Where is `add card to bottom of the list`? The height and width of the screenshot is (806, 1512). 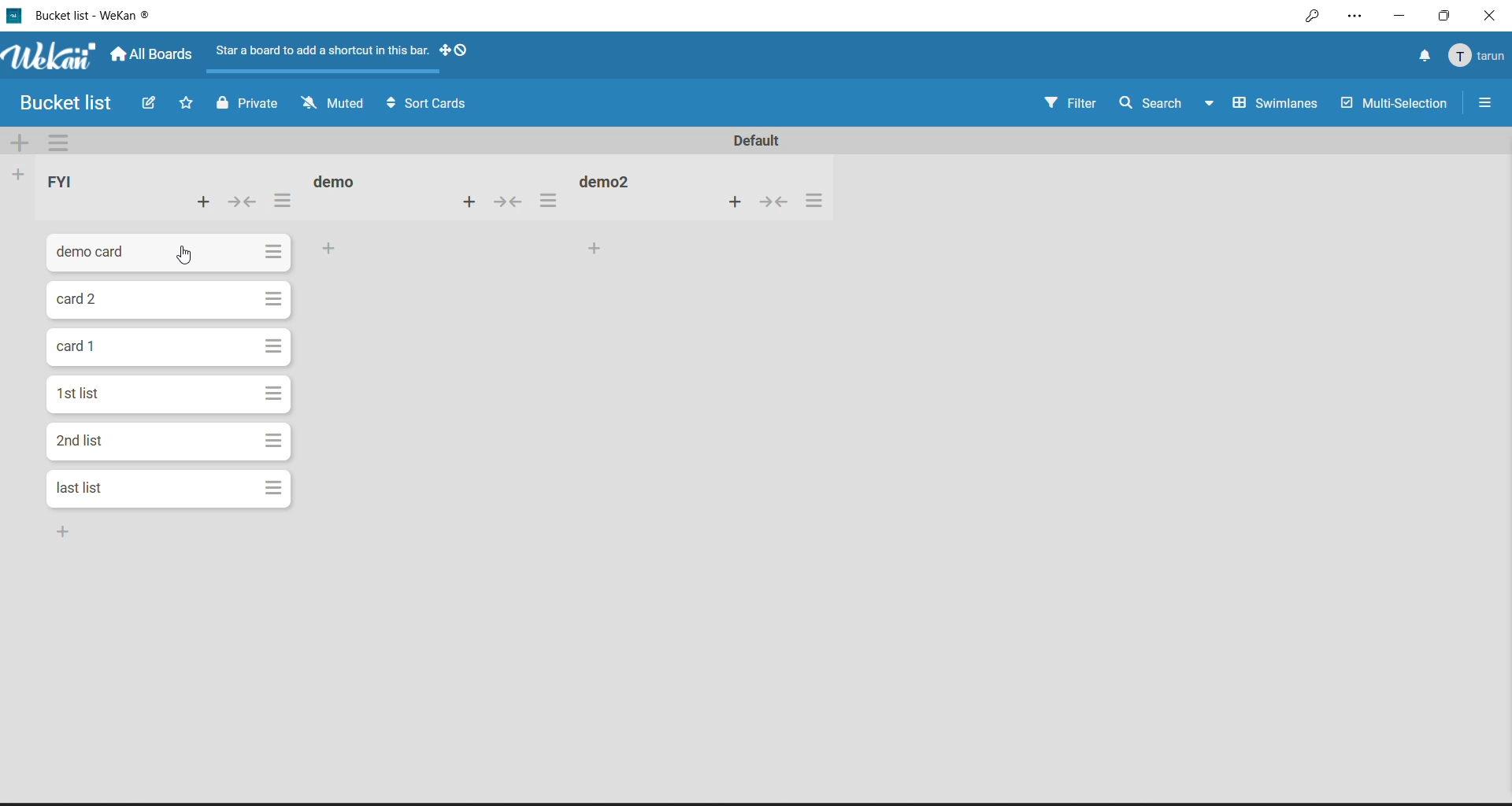 add card to bottom of the list is located at coordinates (432, 251).